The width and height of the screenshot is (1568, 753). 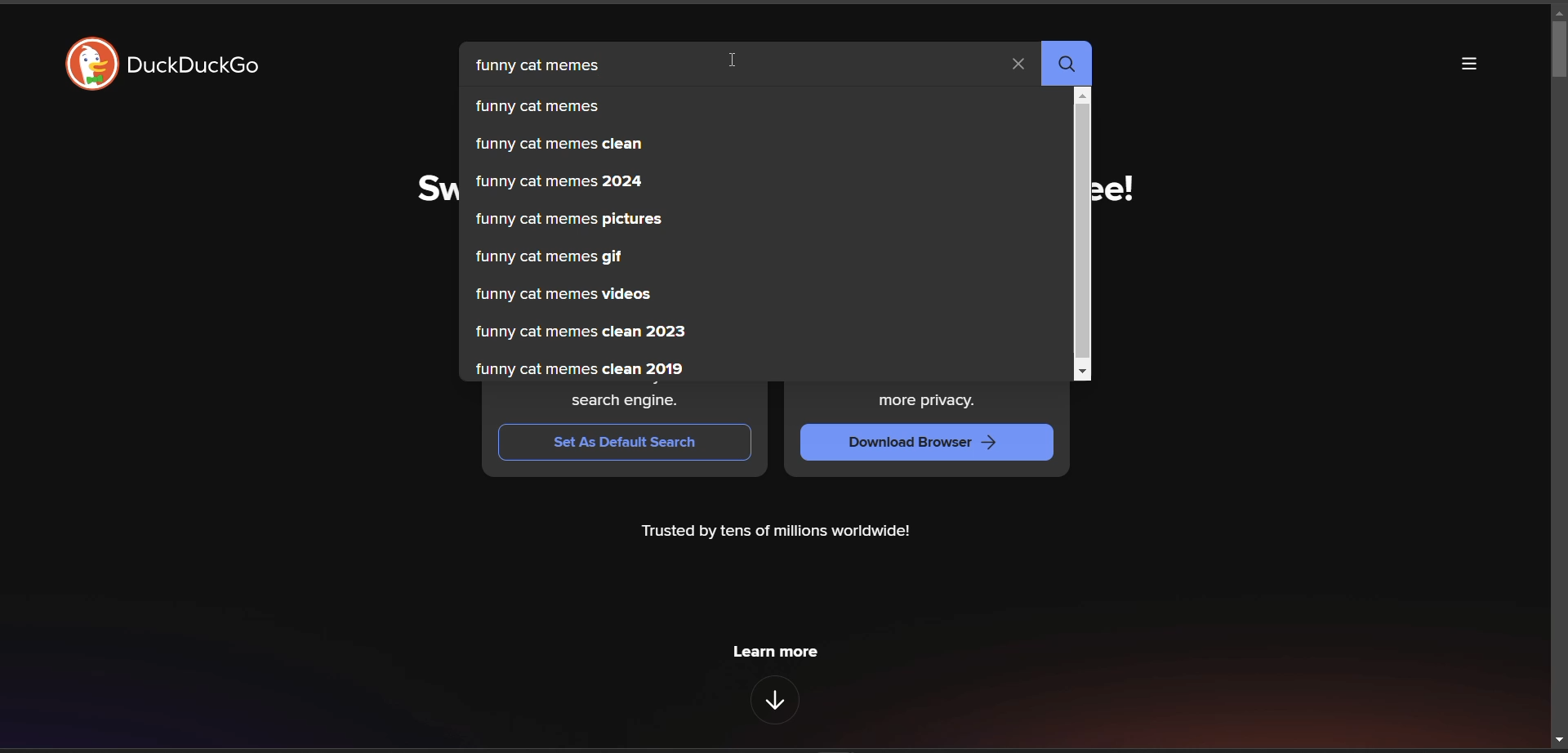 I want to click on search, so click(x=1069, y=64).